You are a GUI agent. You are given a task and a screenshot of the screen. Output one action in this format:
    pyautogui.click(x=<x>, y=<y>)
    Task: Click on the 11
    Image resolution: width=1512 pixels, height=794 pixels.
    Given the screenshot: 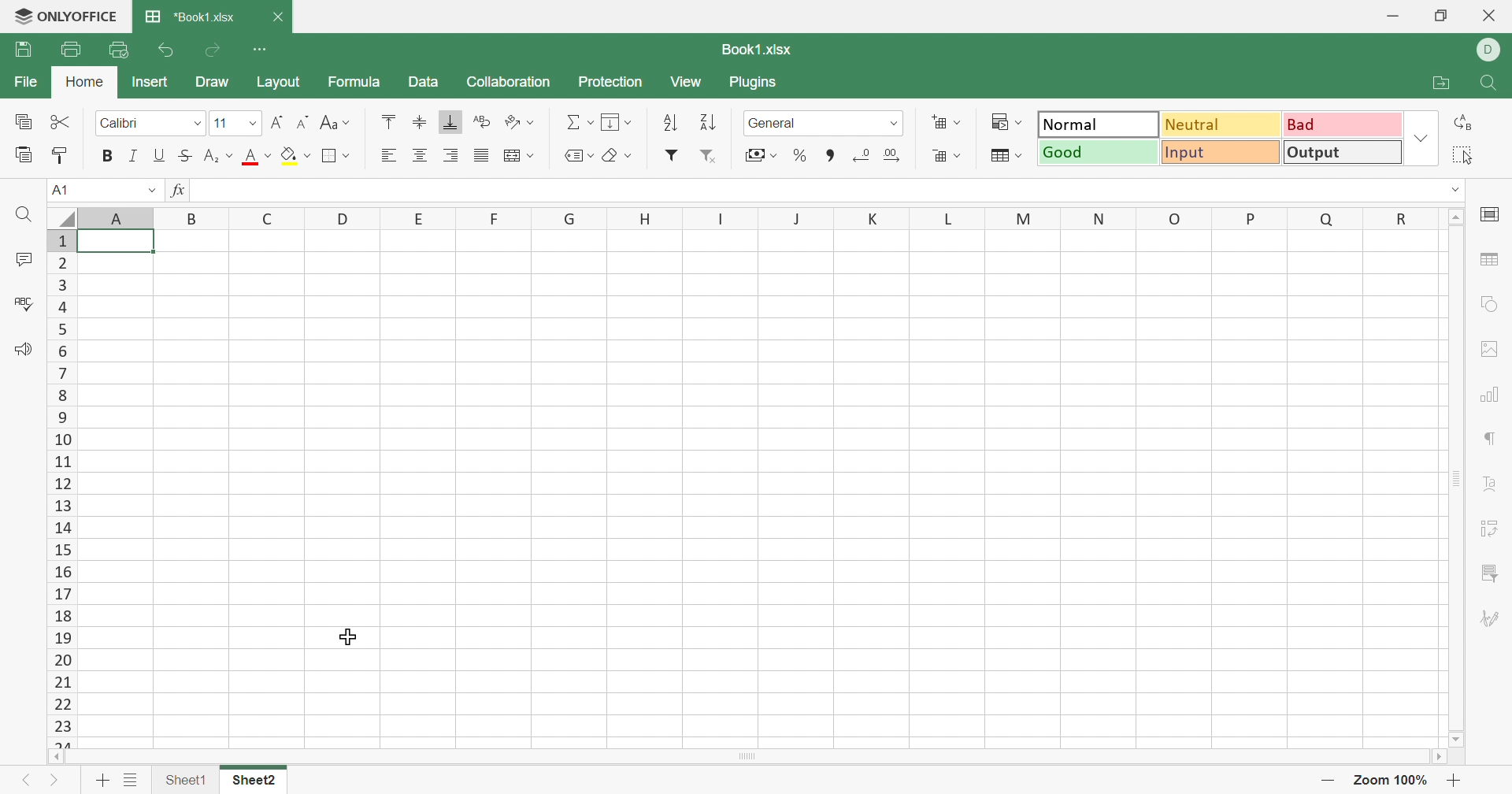 What is the action you would take?
    pyautogui.click(x=61, y=463)
    